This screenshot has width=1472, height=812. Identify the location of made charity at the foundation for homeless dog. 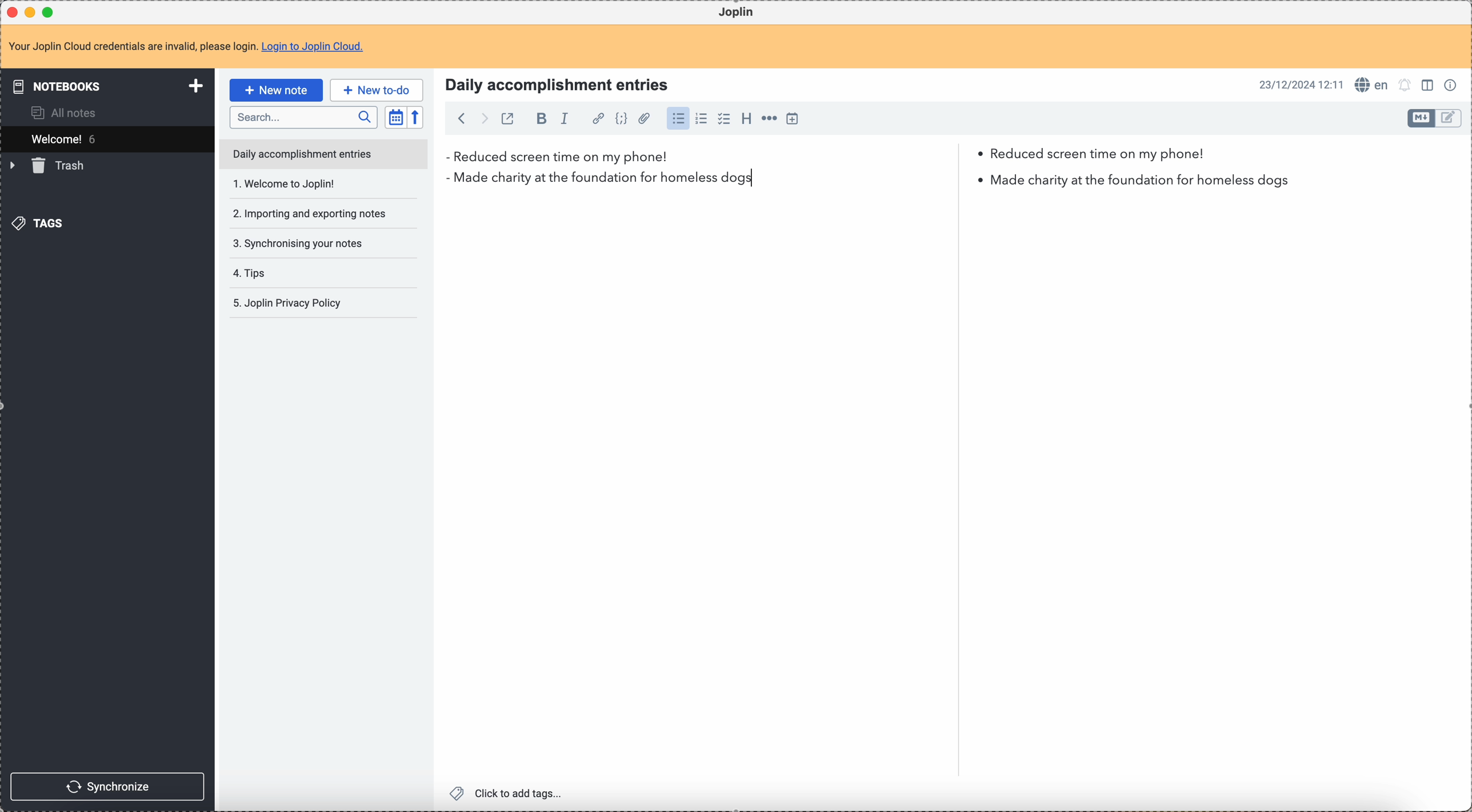
(877, 182).